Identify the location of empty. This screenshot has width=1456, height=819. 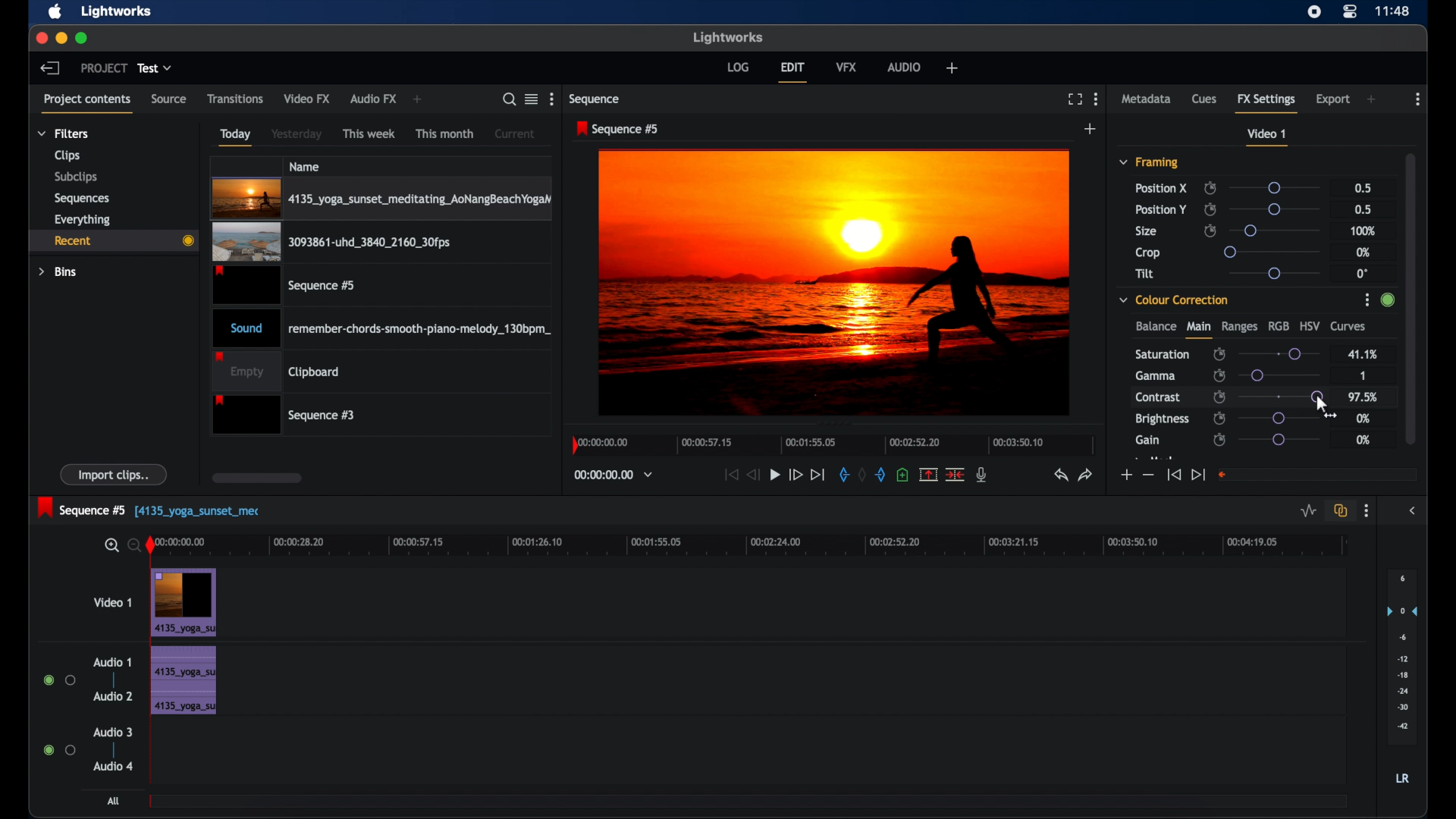
(276, 371).